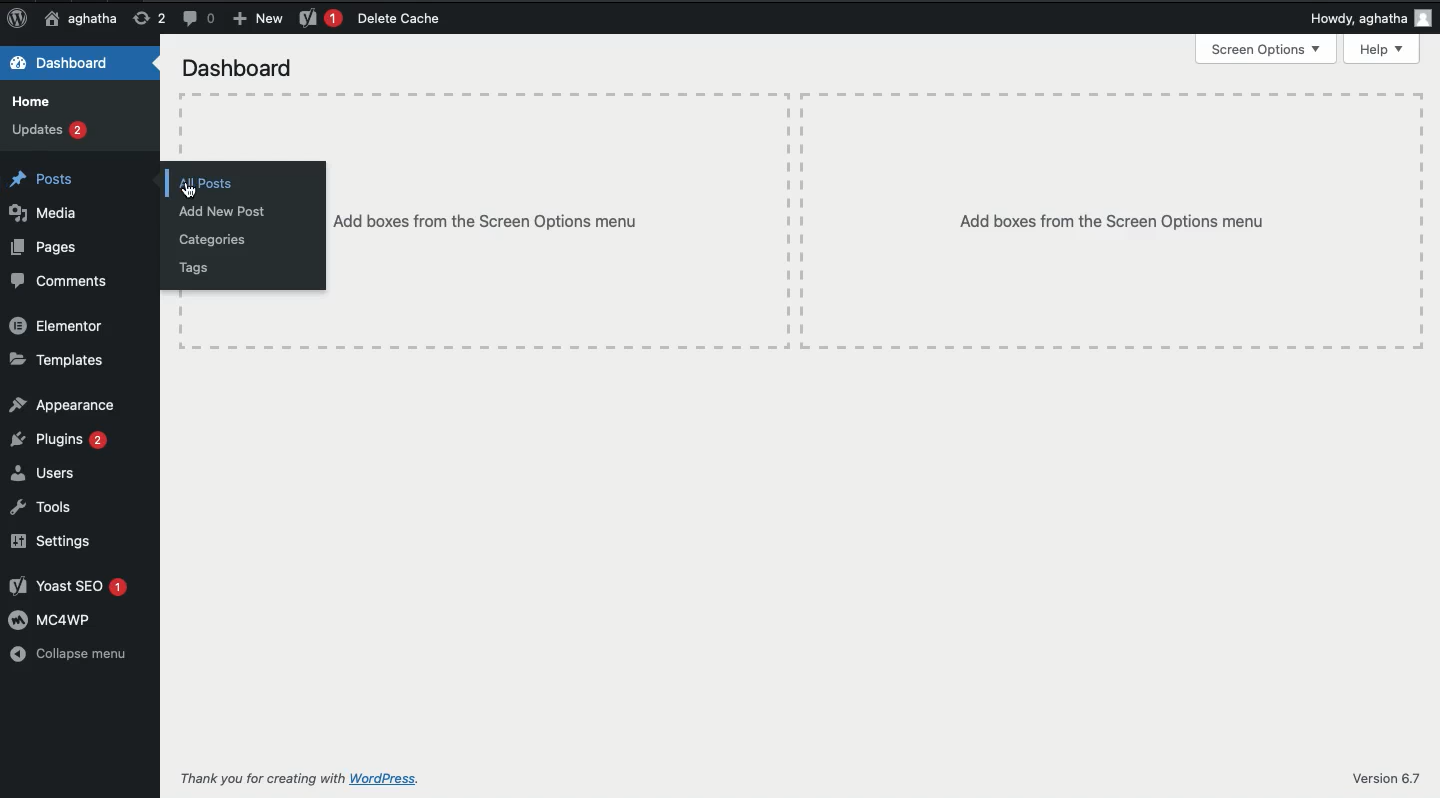 This screenshot has height=798, width=1440. What do you see at coordinates (59, 280) in the screenshot?
I see `Comments` at bounding box center [59, 280].